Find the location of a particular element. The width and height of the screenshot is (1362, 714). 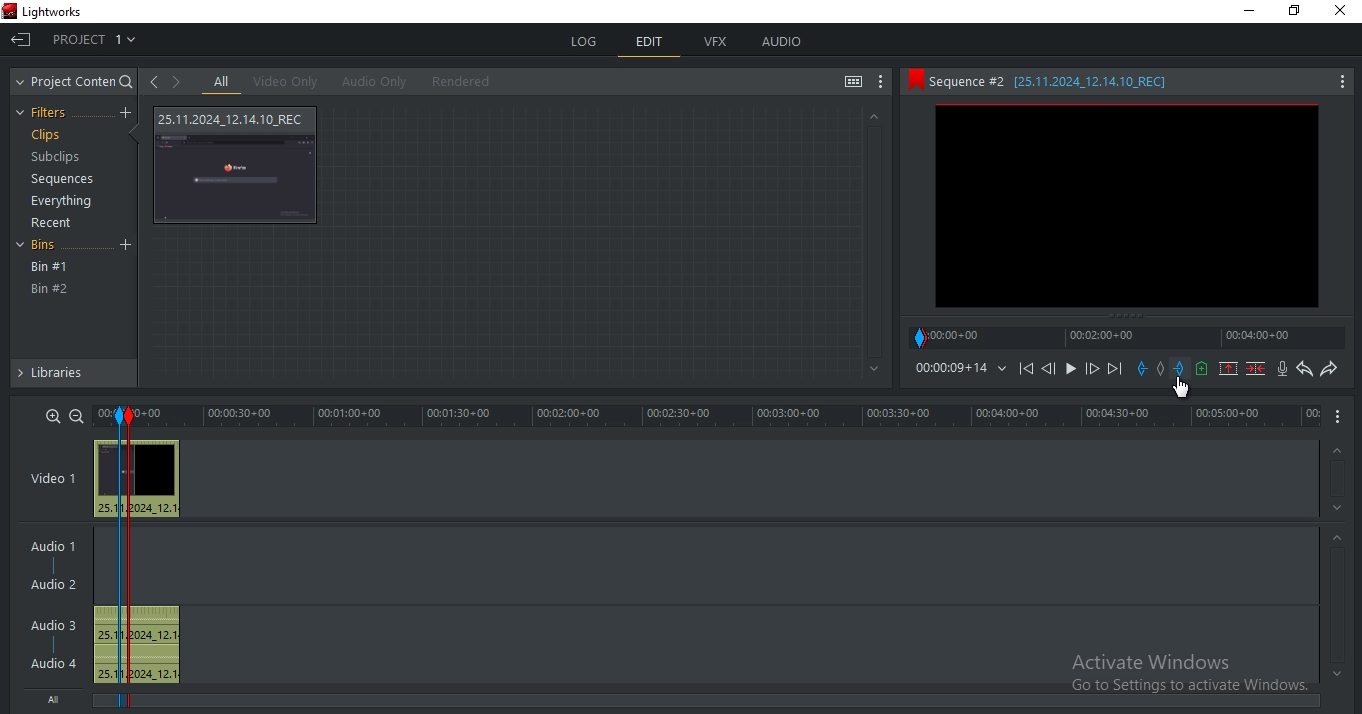

time is located at coordinates (731, 416).